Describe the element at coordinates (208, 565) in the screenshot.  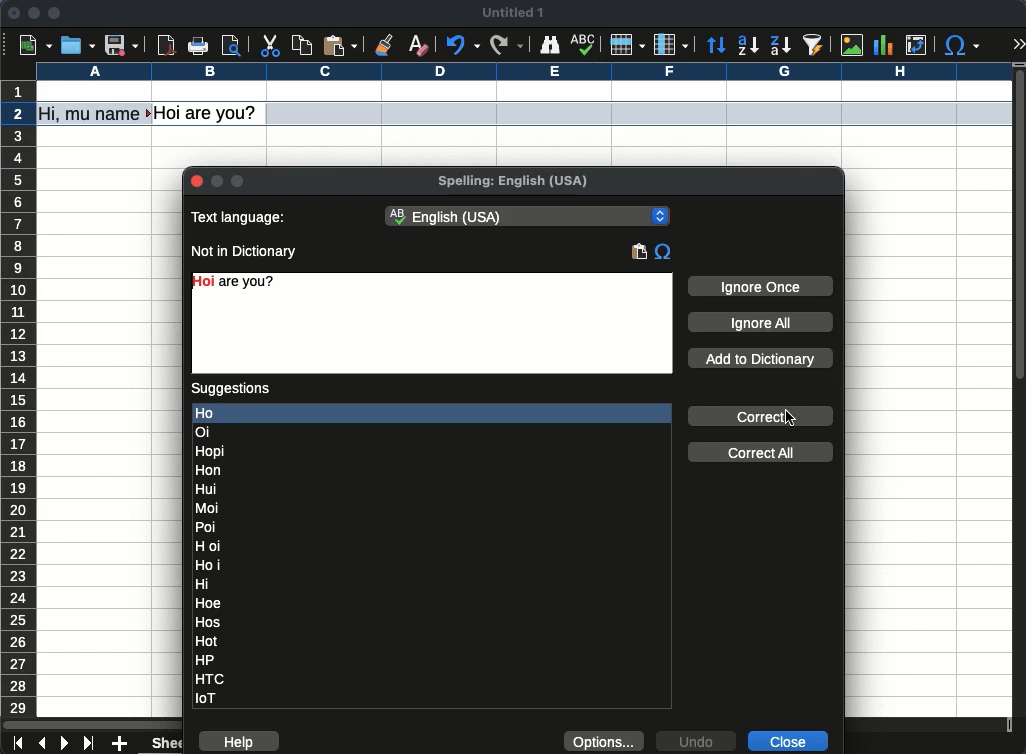
I see `Ho i` at that location.